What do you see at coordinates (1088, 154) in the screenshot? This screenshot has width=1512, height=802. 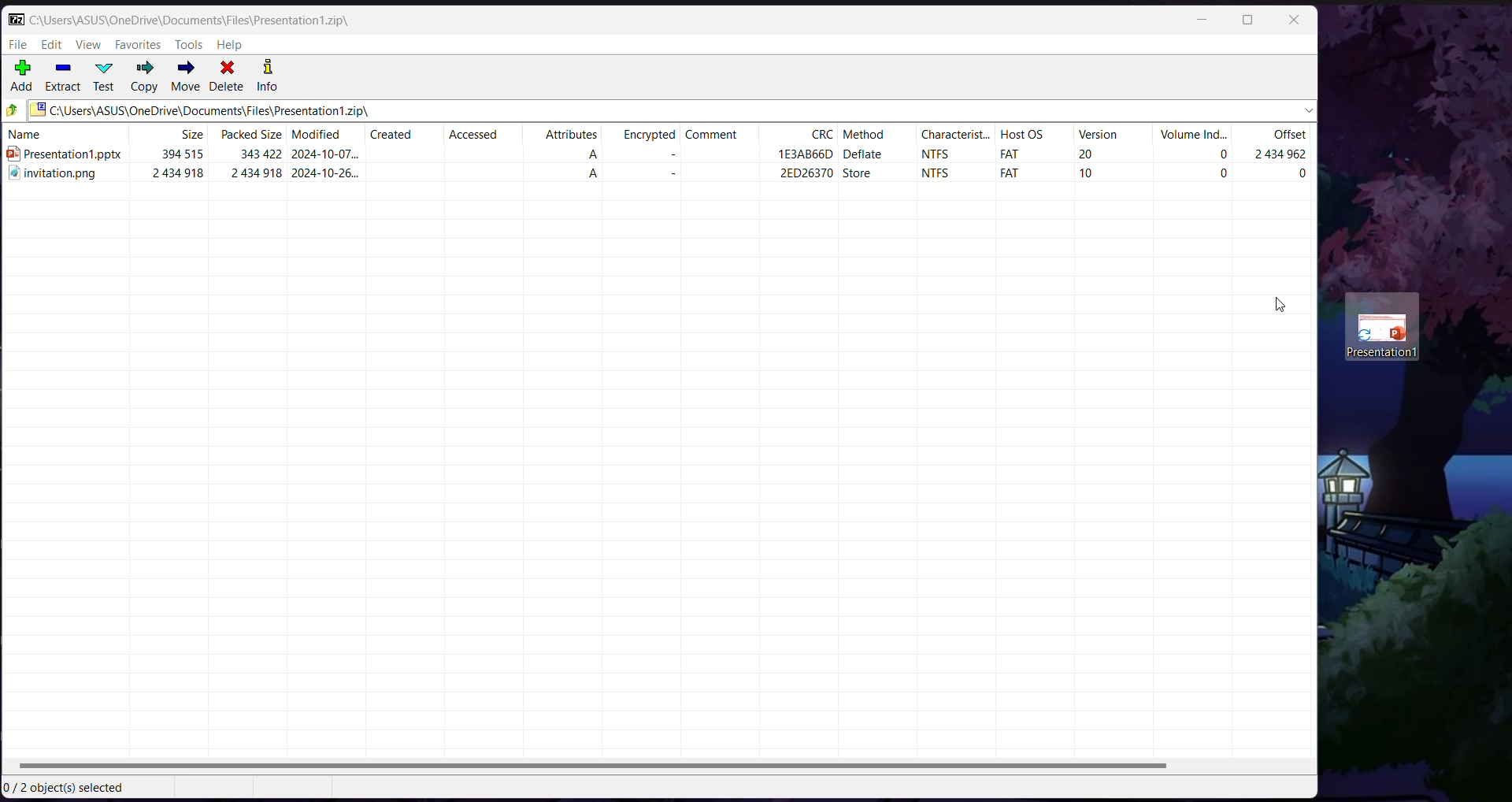 I see `20` at bounding box center [1088, 154].